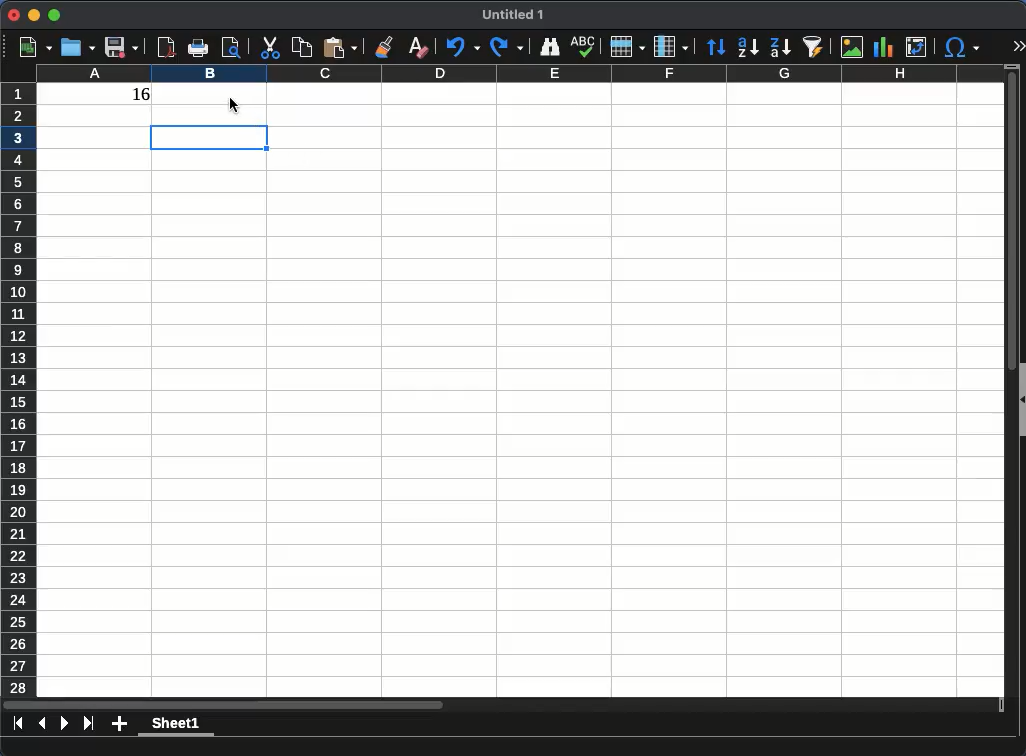 This screenshot has width=1026, height=756. Describe the element at coordinates (29, 47) in the screenshot. I see `new` at that location.